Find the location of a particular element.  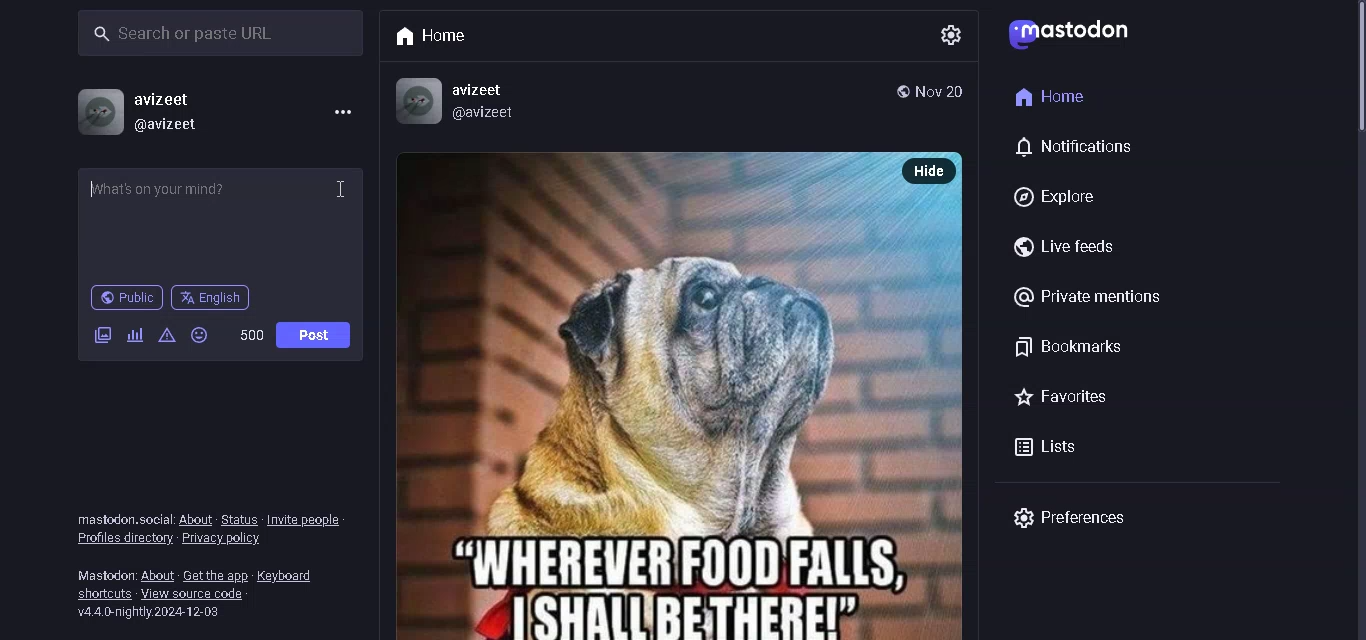

Scrollbar is located at coordinates (1357, 72).